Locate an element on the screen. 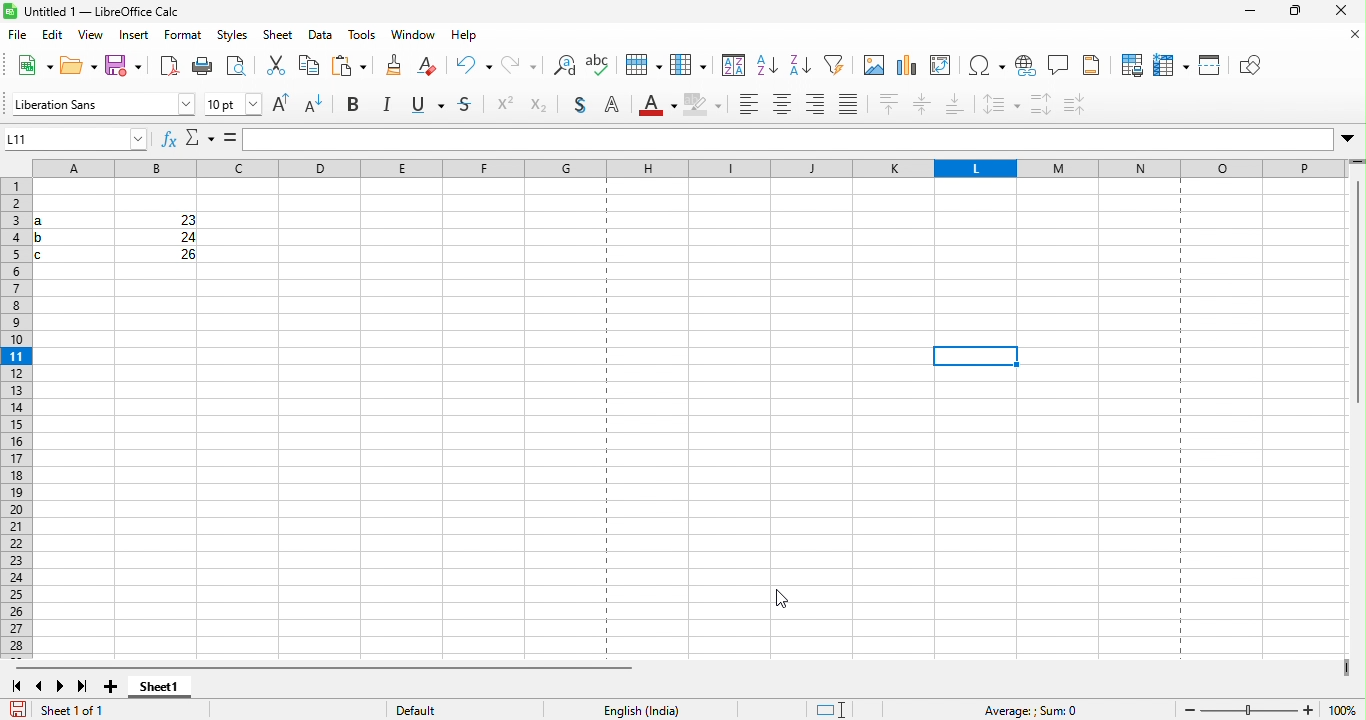  sheet is located at coordinates (277, 39).